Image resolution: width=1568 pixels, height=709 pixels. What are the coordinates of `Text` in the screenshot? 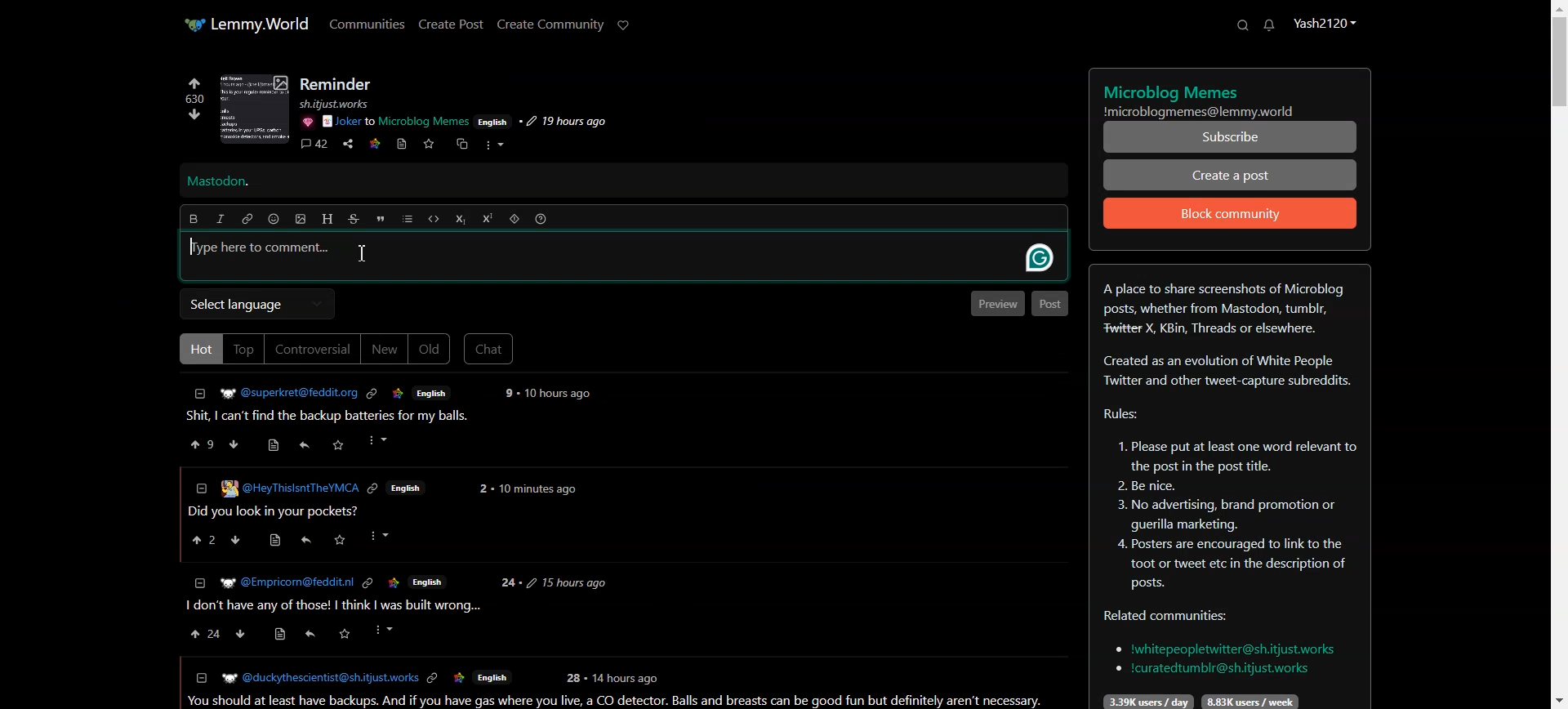 It's located at (218, 182).